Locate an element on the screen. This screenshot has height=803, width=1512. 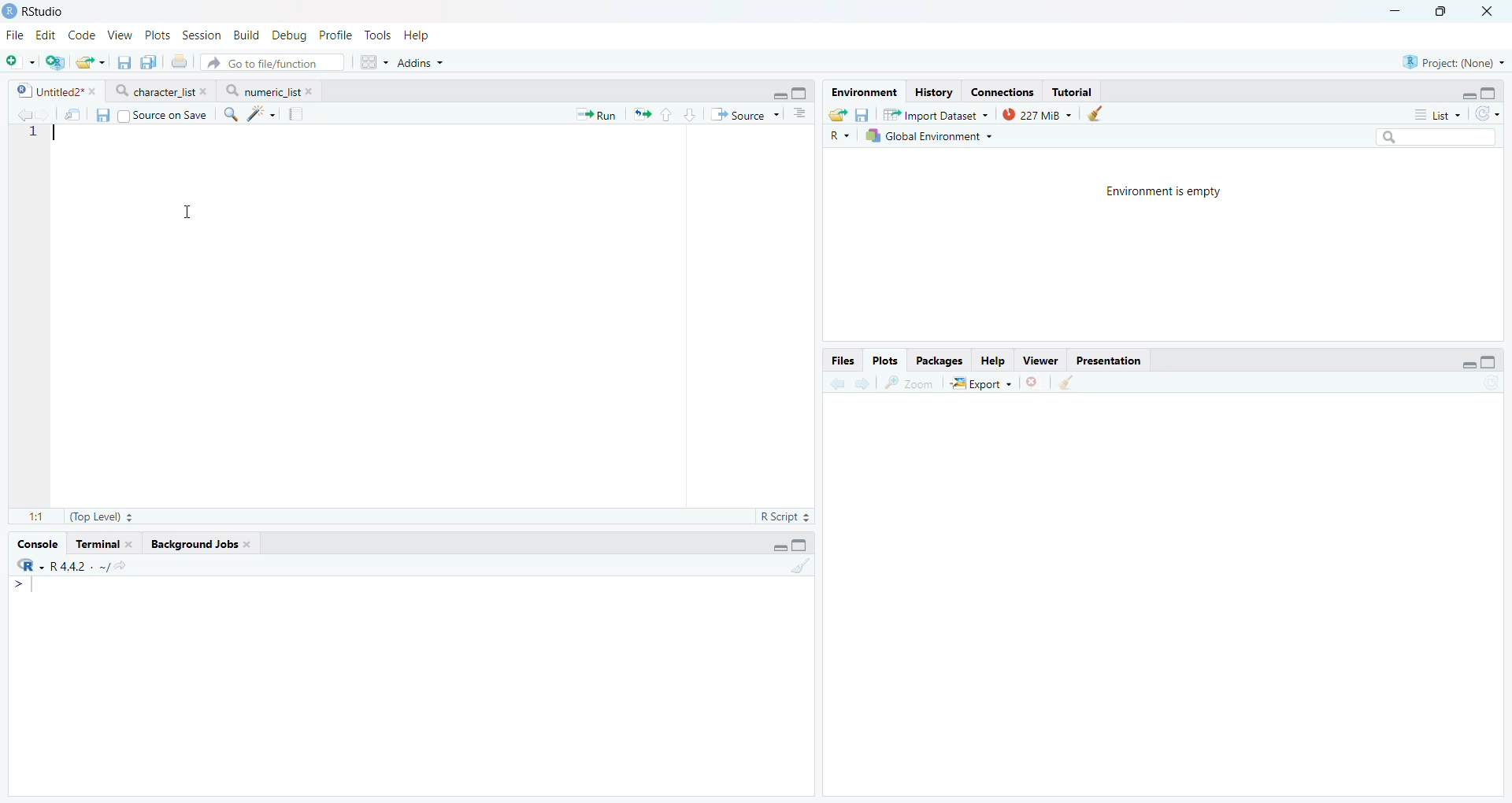
R -R 4.4.2. ~/ is located at coordinates (72, 565).